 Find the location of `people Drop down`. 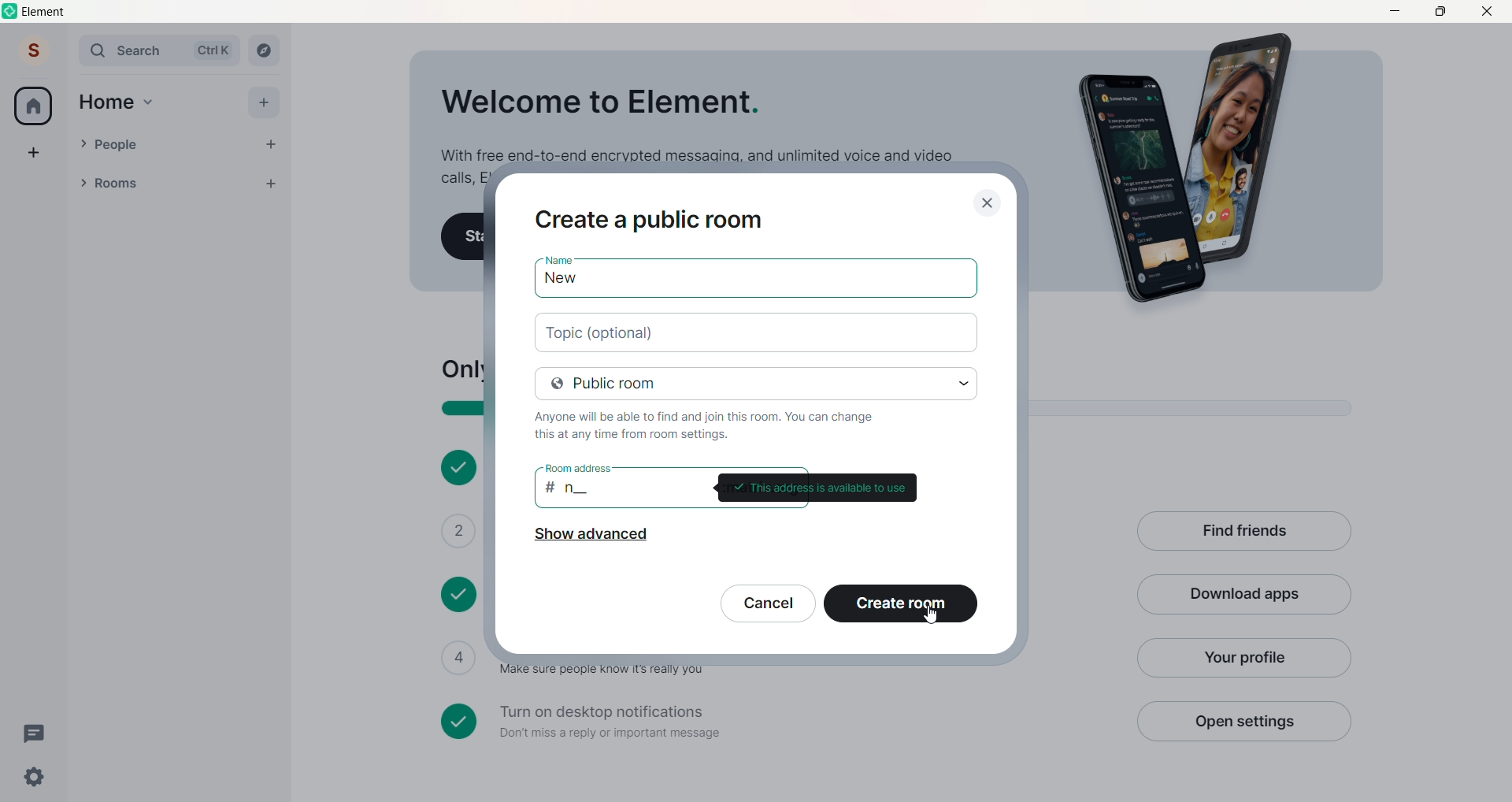

people Drop down is located at coordinates (83, 143).